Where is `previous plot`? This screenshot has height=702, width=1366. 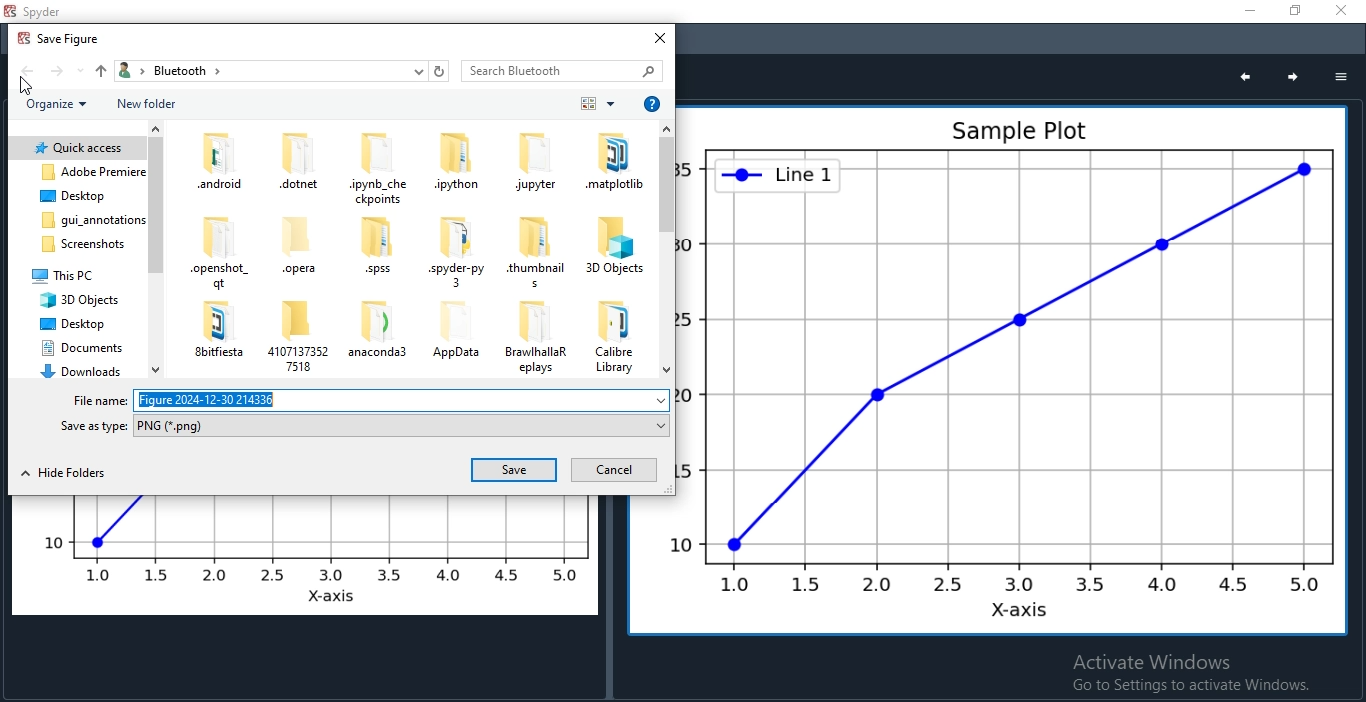
previous plot is located at coordinates (1244, 76).